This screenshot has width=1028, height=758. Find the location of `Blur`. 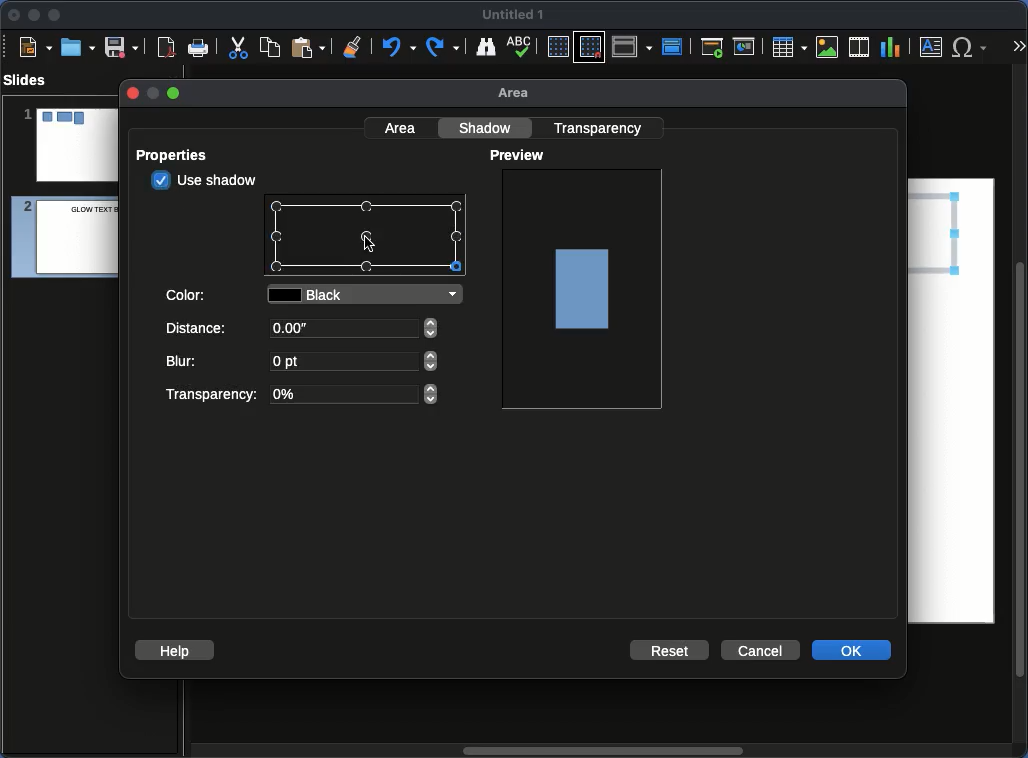

Blur is located at coordinates (303, 363).